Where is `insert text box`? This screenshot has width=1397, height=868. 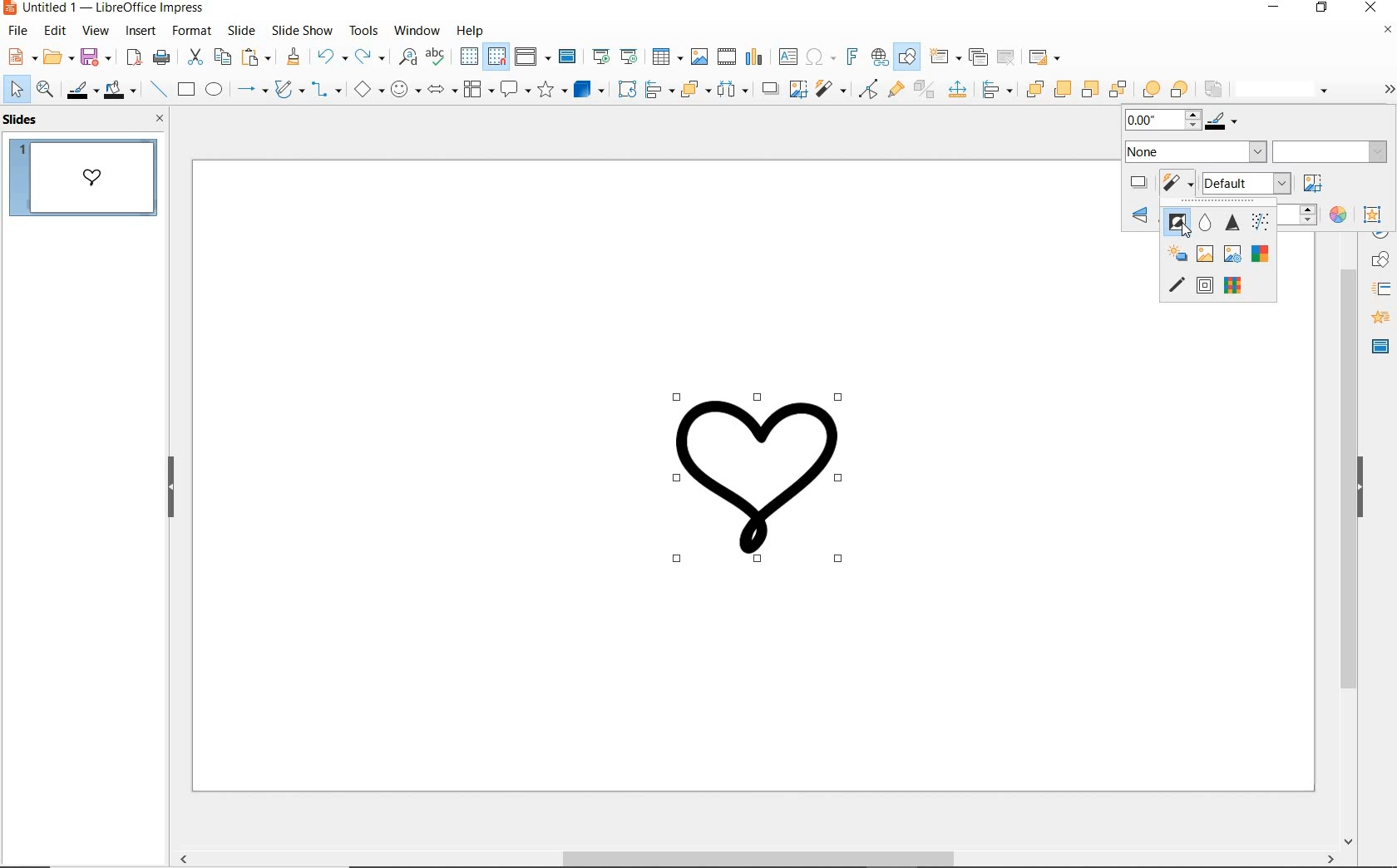 insert text box is located at coordinates (787, 57).